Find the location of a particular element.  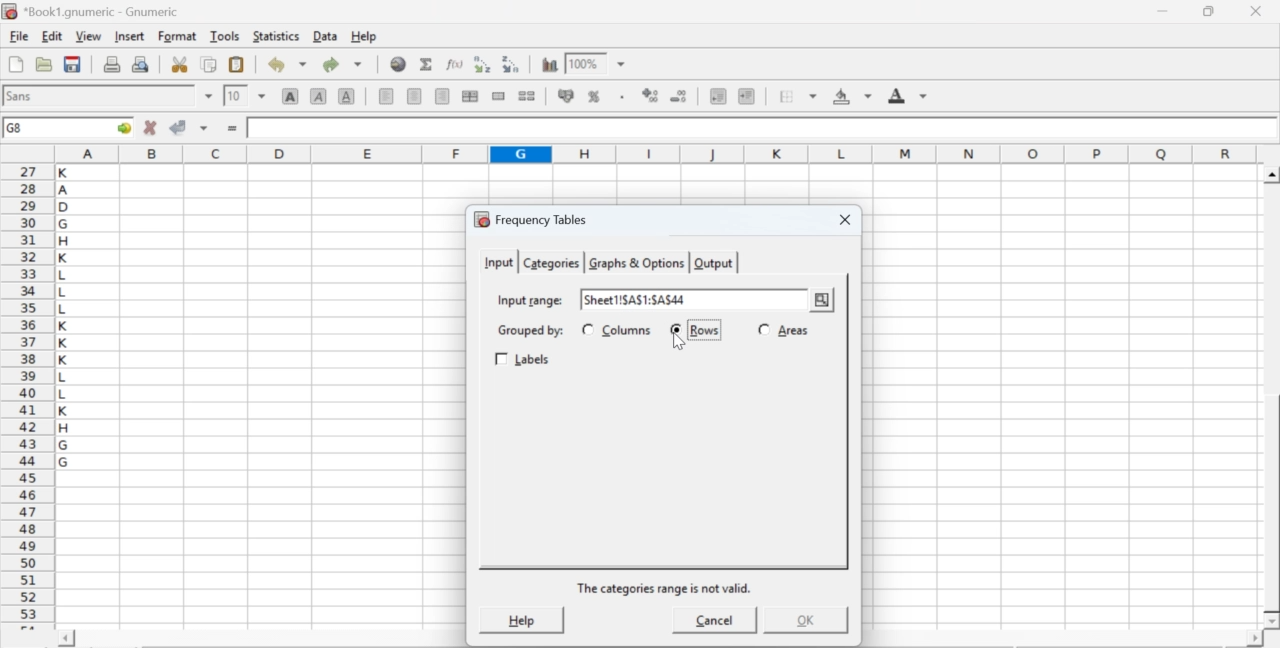

drop down is located at coordinates (622, 65).